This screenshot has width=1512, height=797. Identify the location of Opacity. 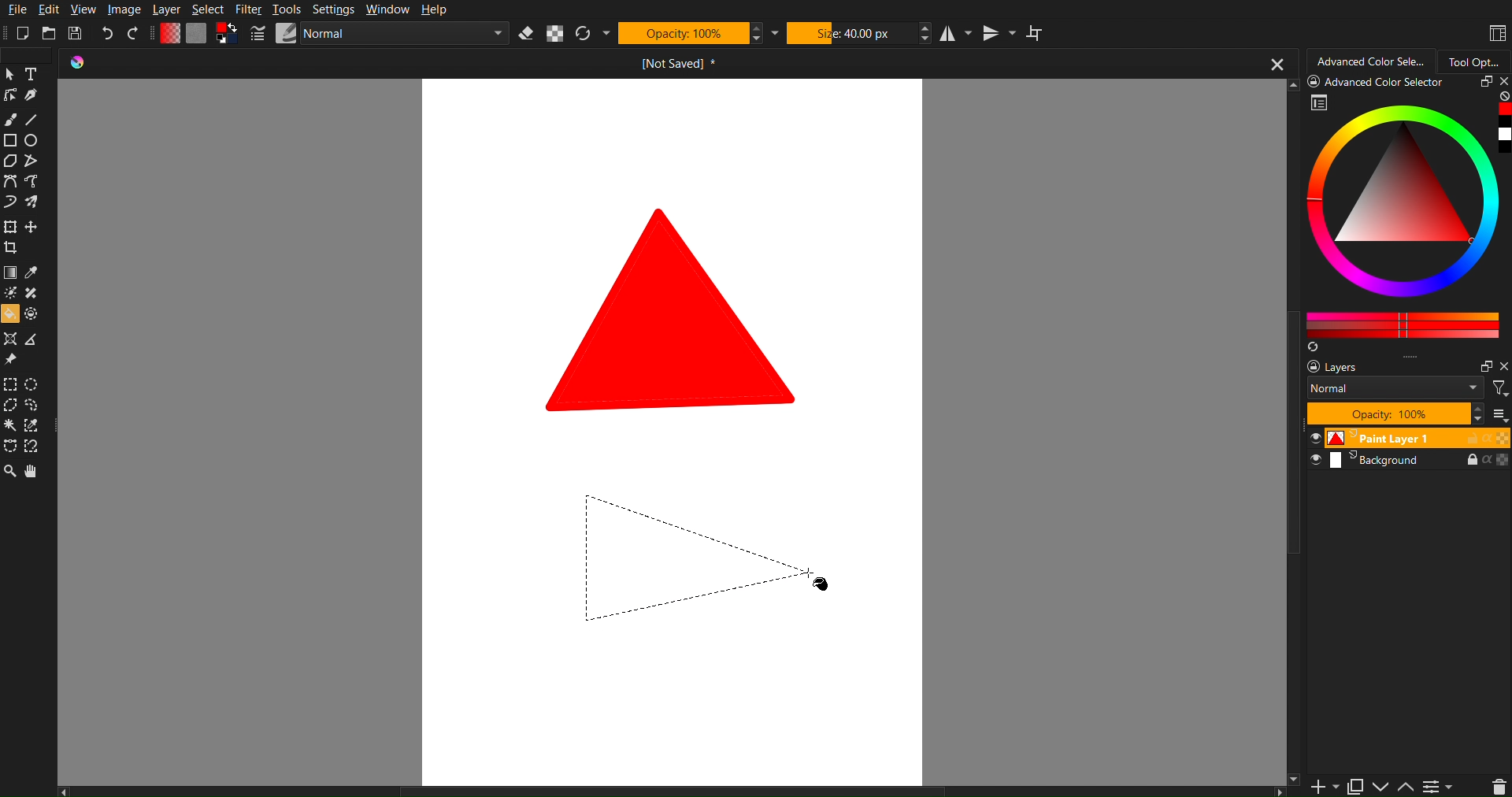
(681, 34).